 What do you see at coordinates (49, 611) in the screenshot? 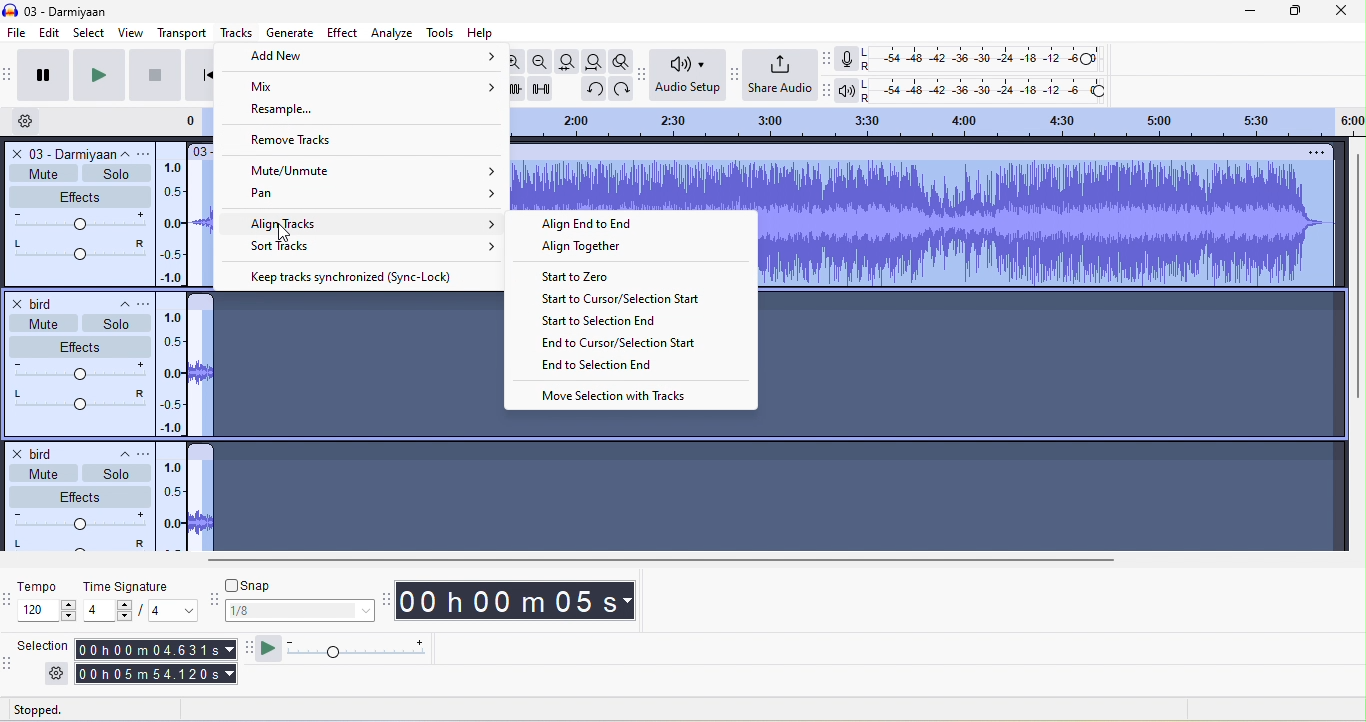
I see `tempo` at bounding box center [49, 611].